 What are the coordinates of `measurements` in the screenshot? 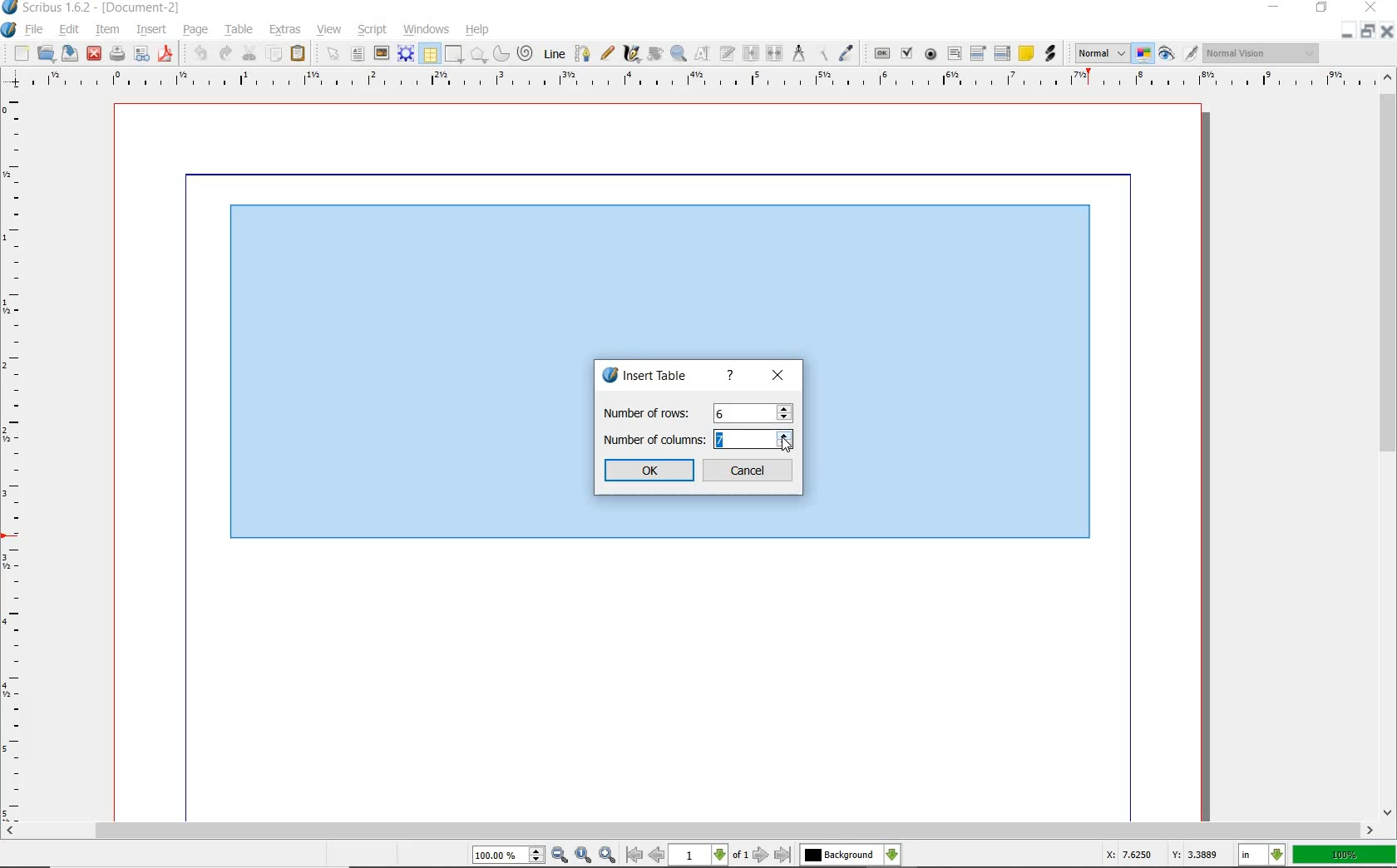 It's located at (799, 54).